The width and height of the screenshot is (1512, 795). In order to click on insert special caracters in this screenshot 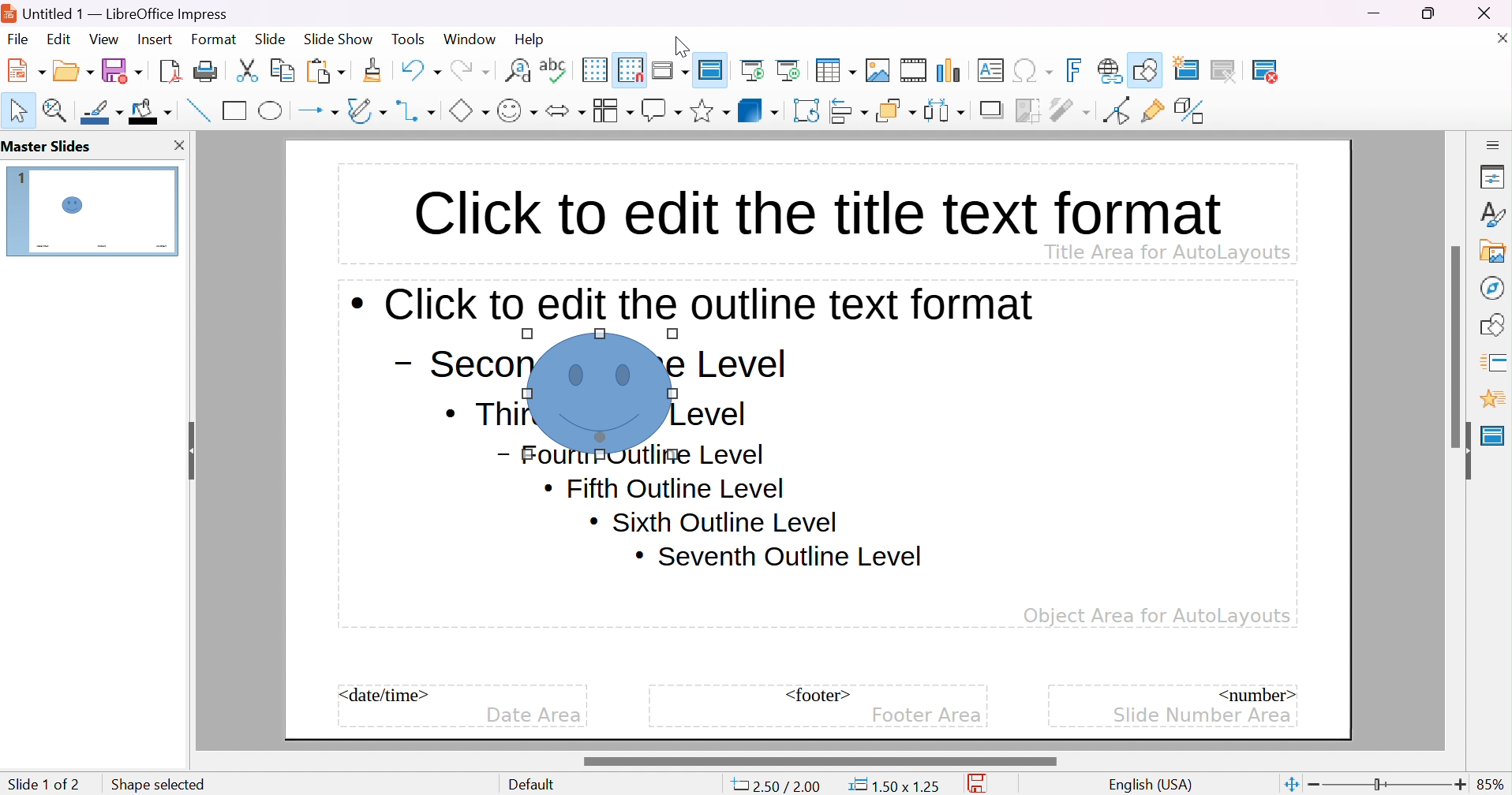, I will do `click(1033, 71)`.